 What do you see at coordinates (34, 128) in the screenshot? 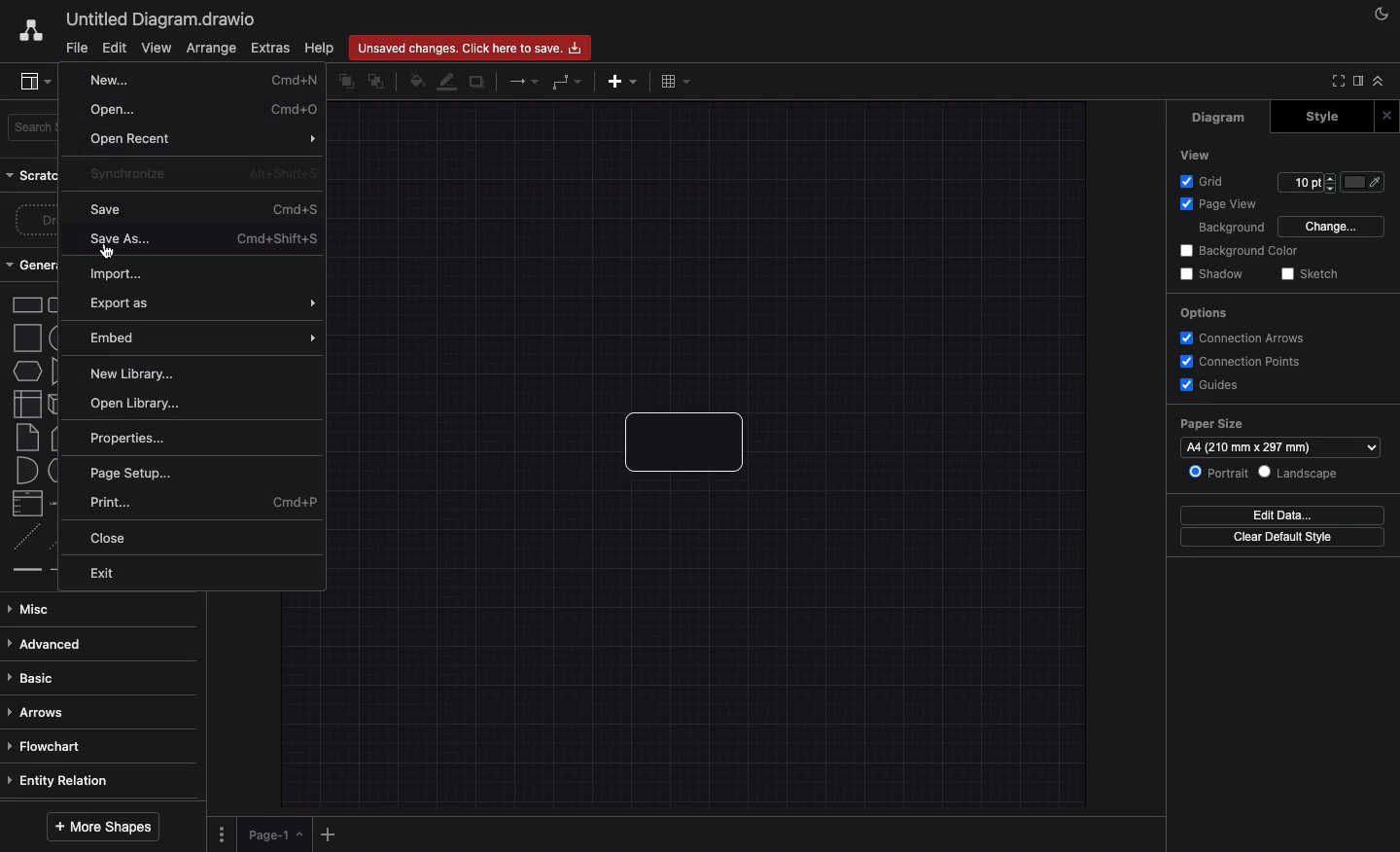
I see `Search shapes` at bounding box center [34, 128].